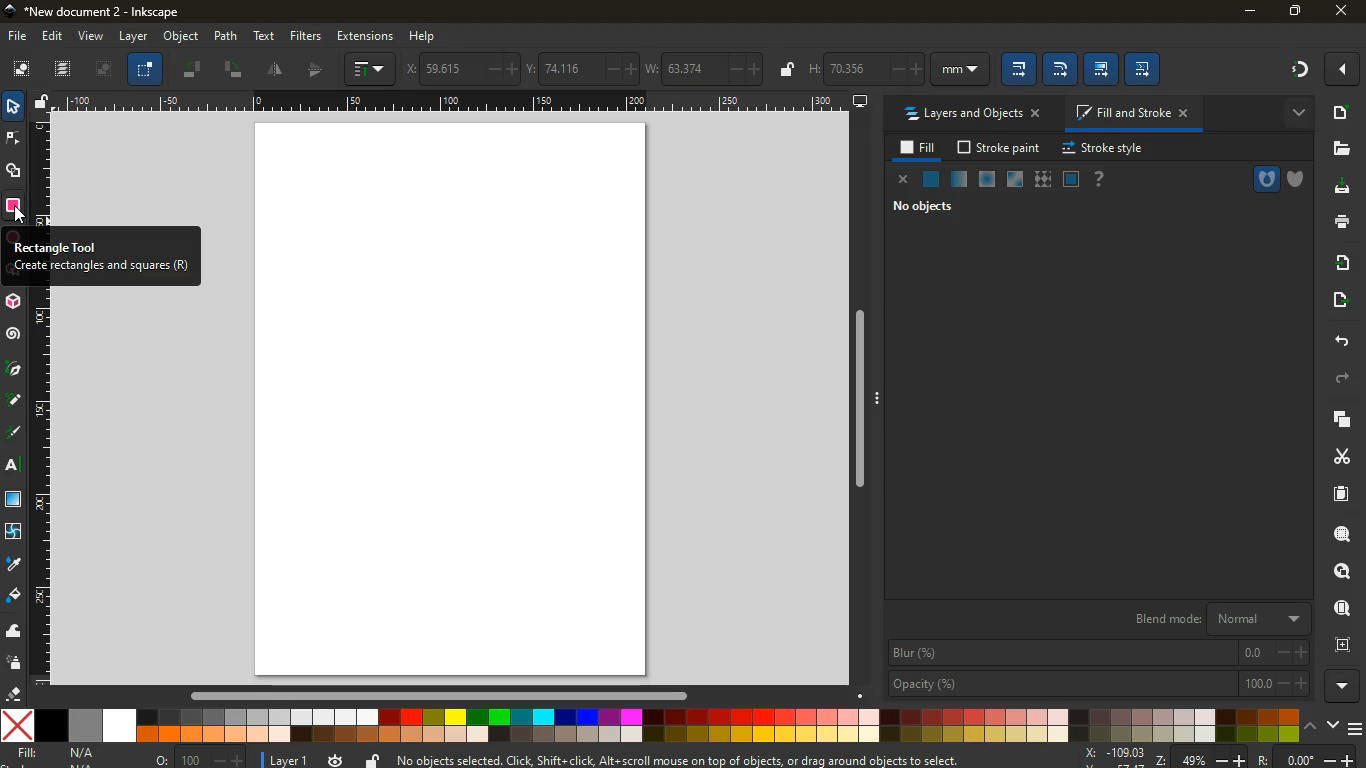 This screenshot has height=768, width=1366. Describe the element at coordinates (55, 37) in the screenshot. I see `edit` at that location.